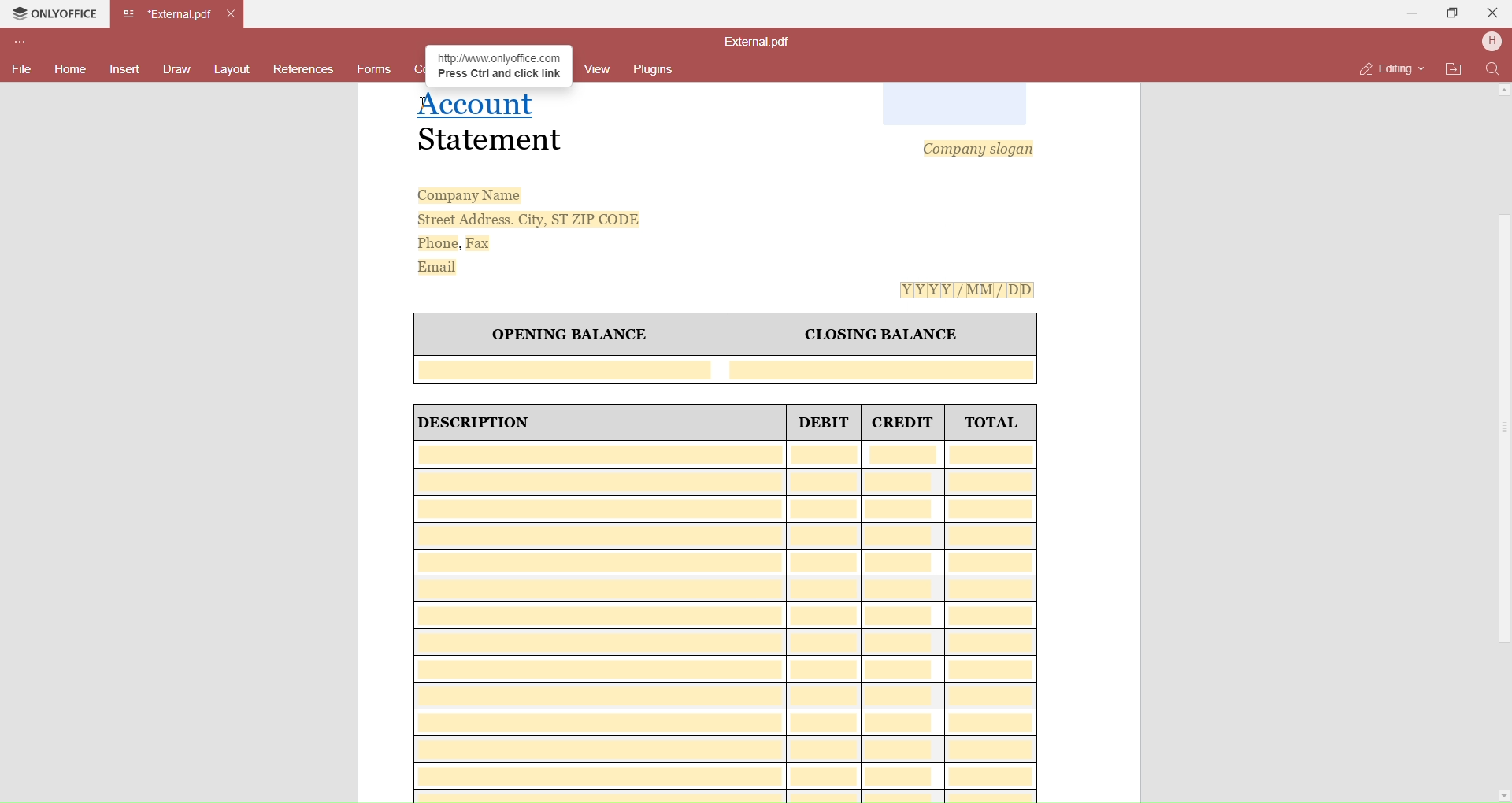  Describe the element at coordinates (456, 244) in the screenshot. I see `Phone, Fax` at that location.